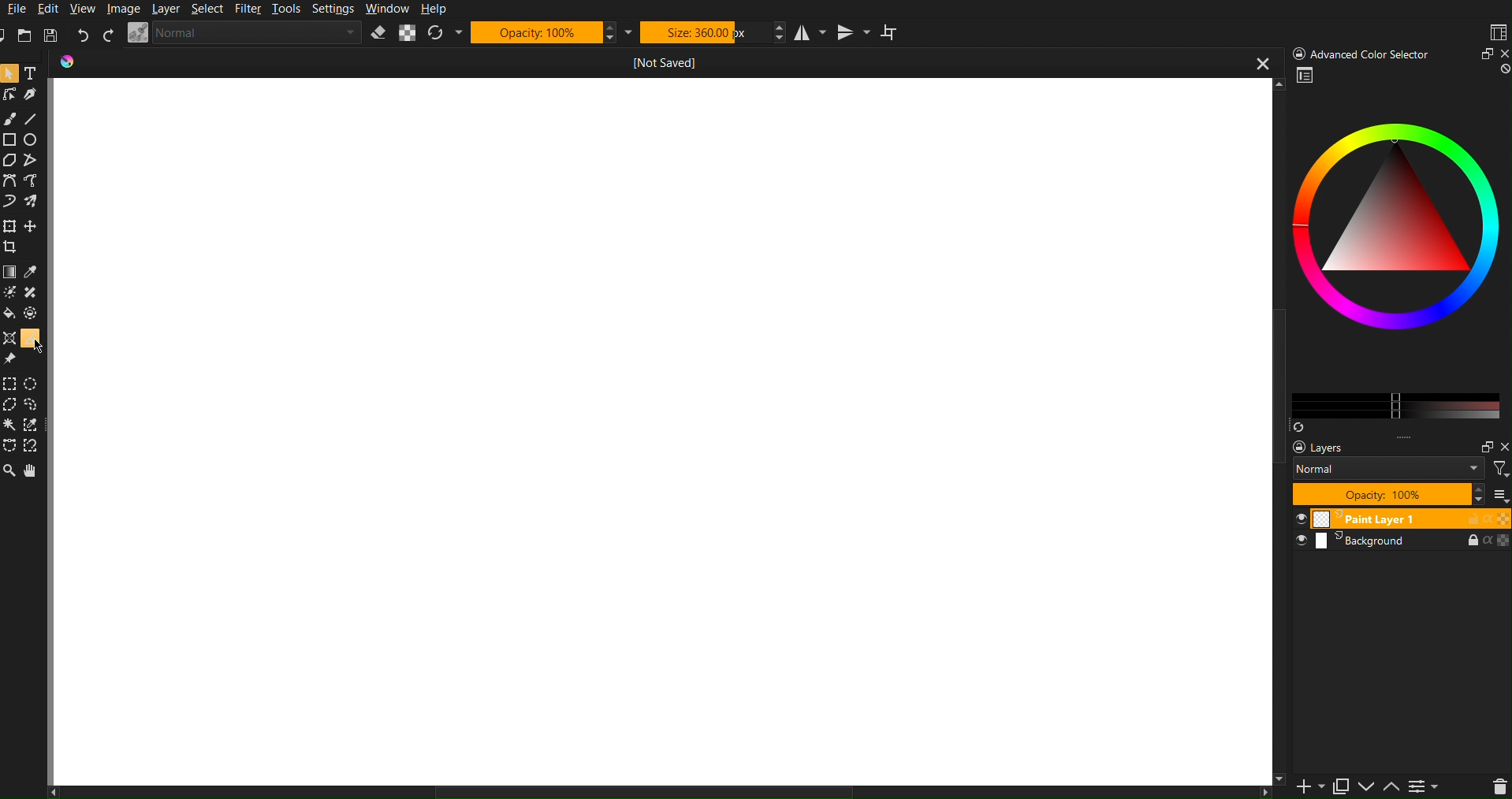 This screenshot has width=1512, height=799. Describe the element at coordinates (1402, 519) in the screenshot. I see `Paint Layer` at that location.